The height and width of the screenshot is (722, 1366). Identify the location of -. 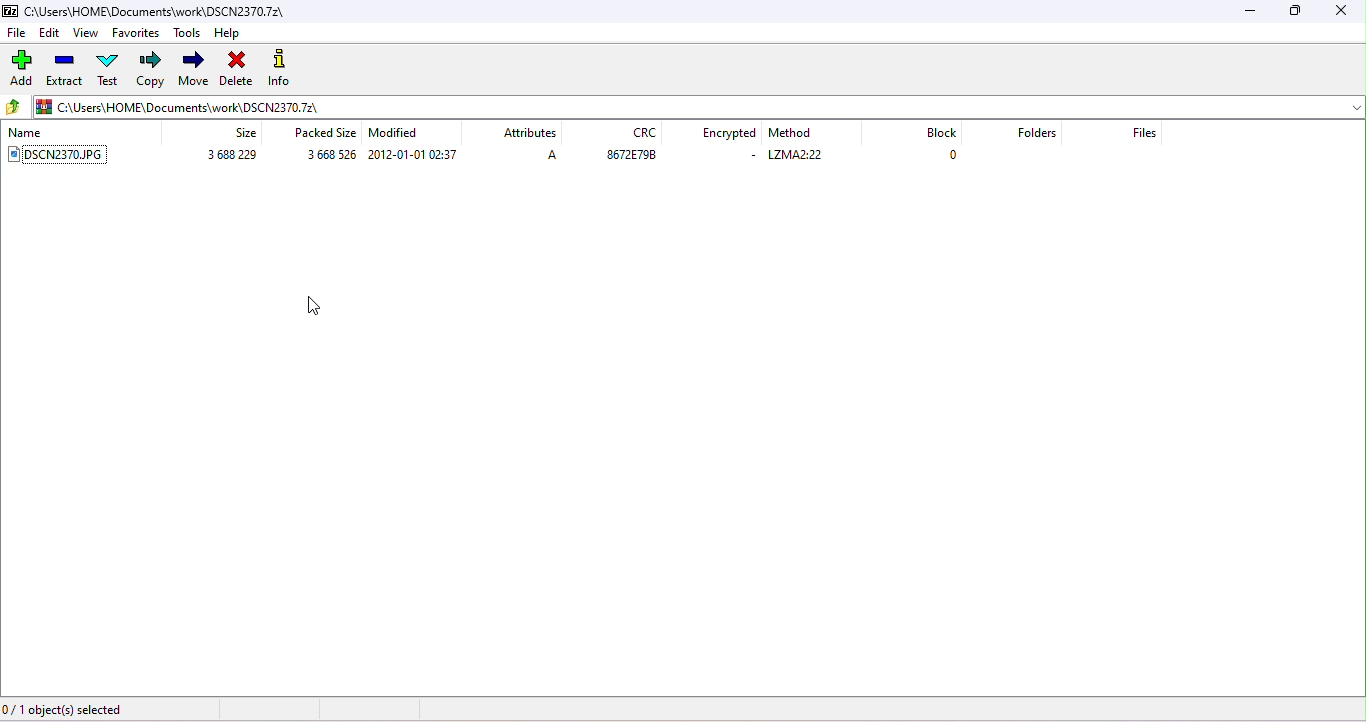
(755, 155).